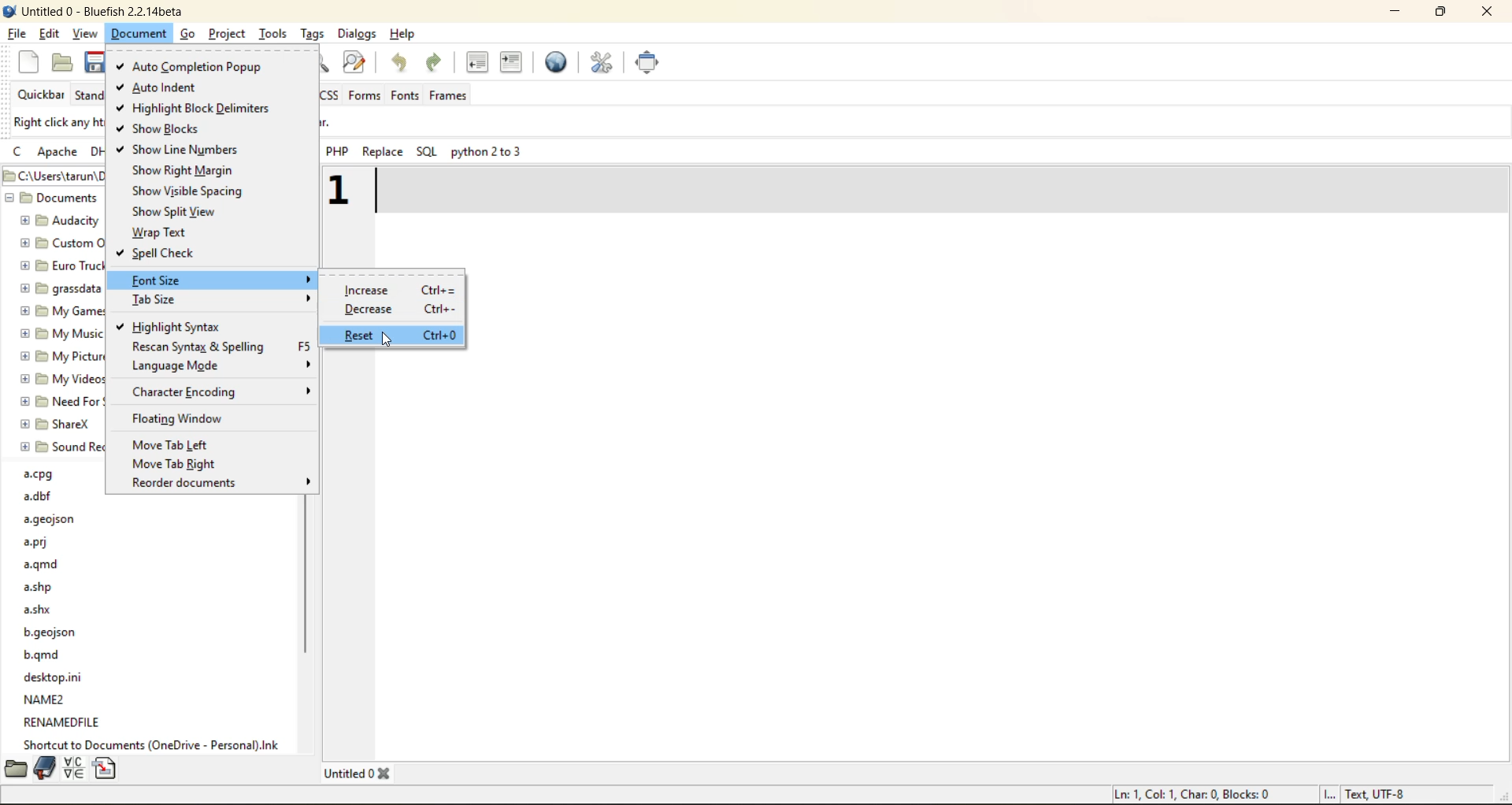 This screenshot has width=1512, height=805. What do you see at coordinates (167, 278) in the screenshot?
I see `font size` at bounding box center [167, 278].